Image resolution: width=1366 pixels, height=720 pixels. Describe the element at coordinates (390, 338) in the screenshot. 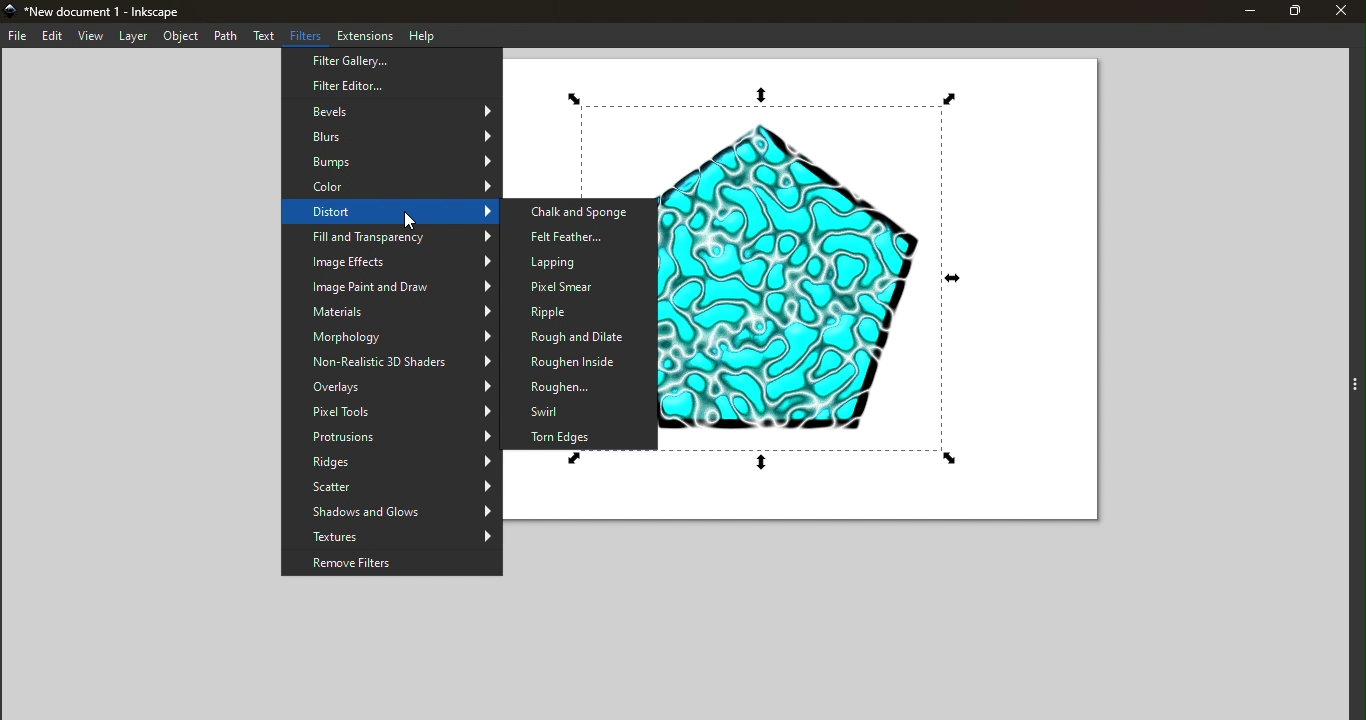

I see `Morphology` at that location.